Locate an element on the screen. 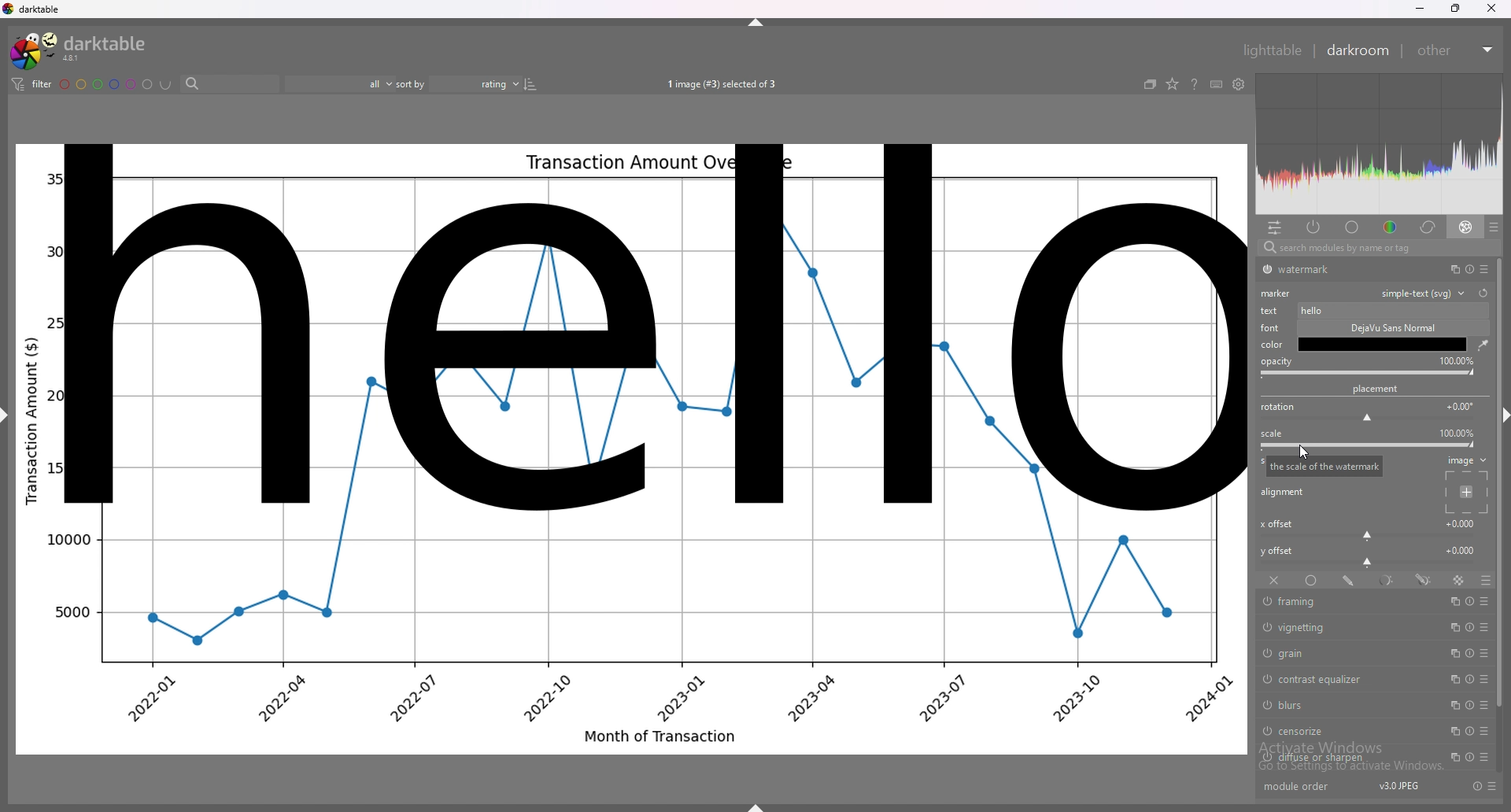 Image resolution: width=1511 pixels, height=812 pixels. framing is located at coordinates (1346, 602).